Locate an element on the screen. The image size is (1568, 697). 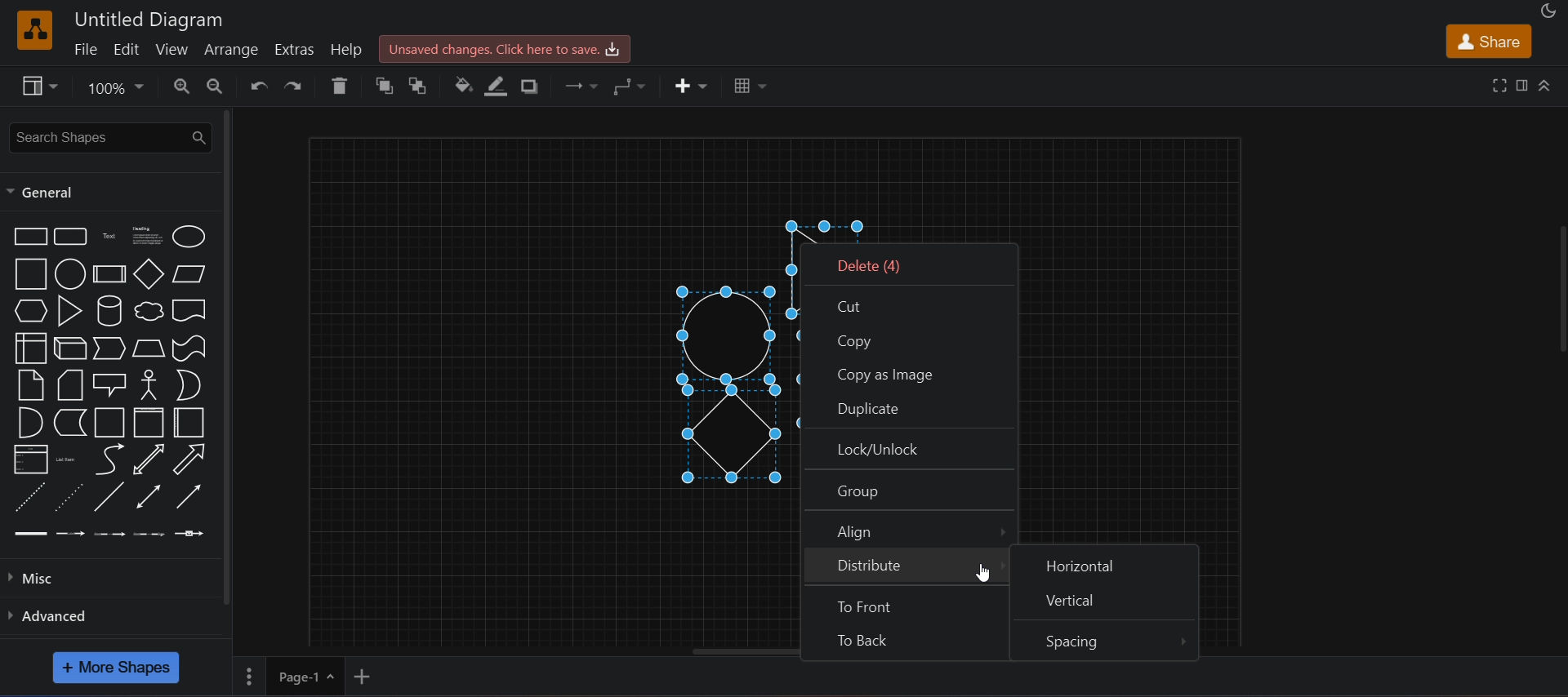
directional  is located at coordinates (187, 498).